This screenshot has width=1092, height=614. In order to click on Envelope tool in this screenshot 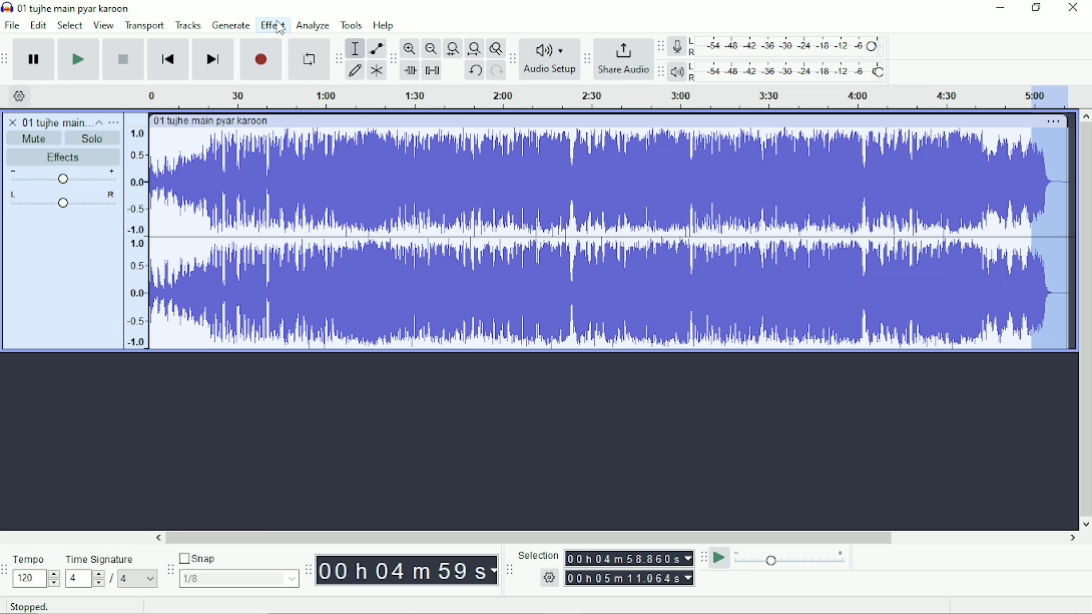, I will do `click(376, 49)`.